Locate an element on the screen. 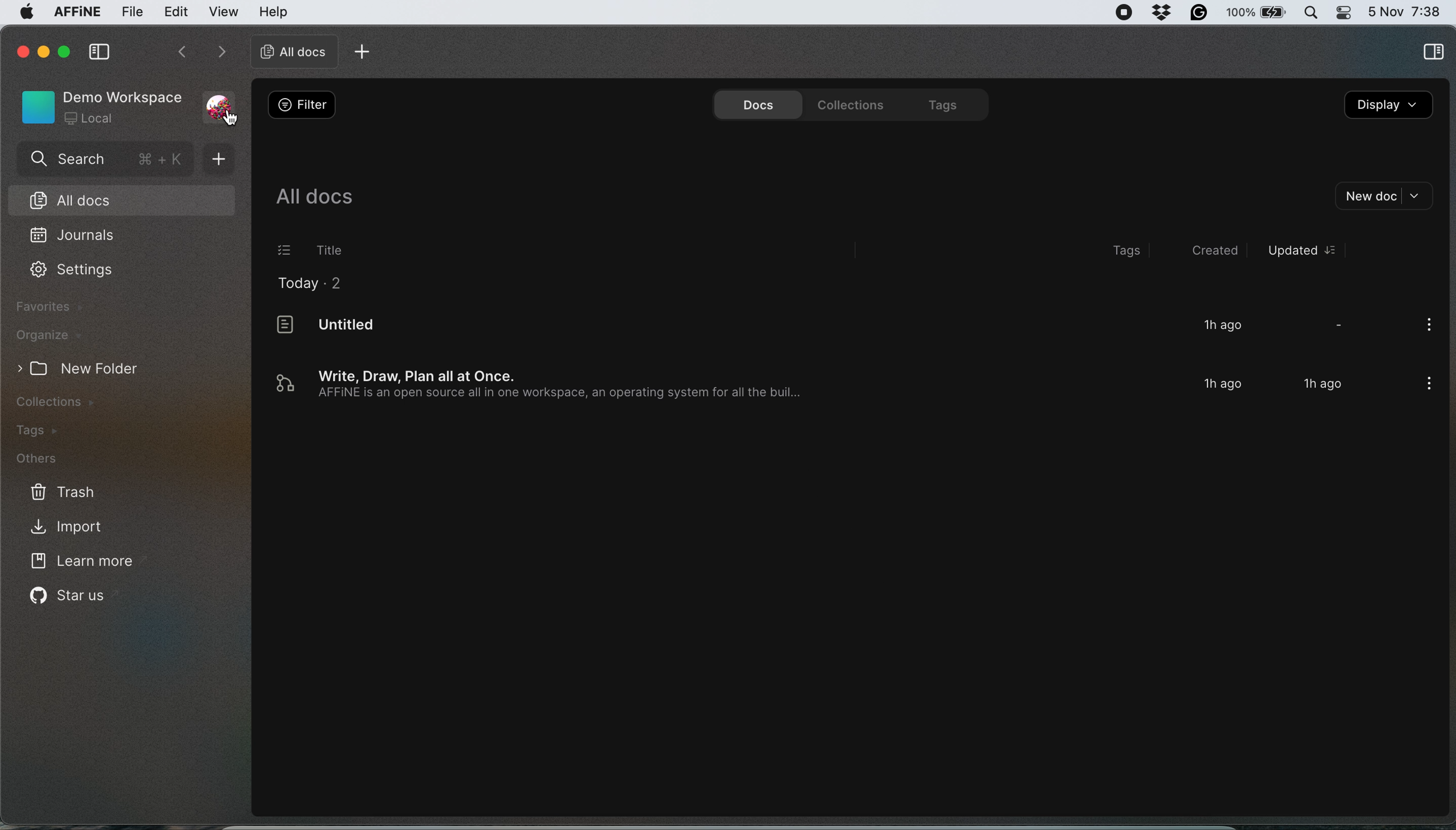 This screenshot has width=1456, height=830. control center is located at coordinates (1343, 13).